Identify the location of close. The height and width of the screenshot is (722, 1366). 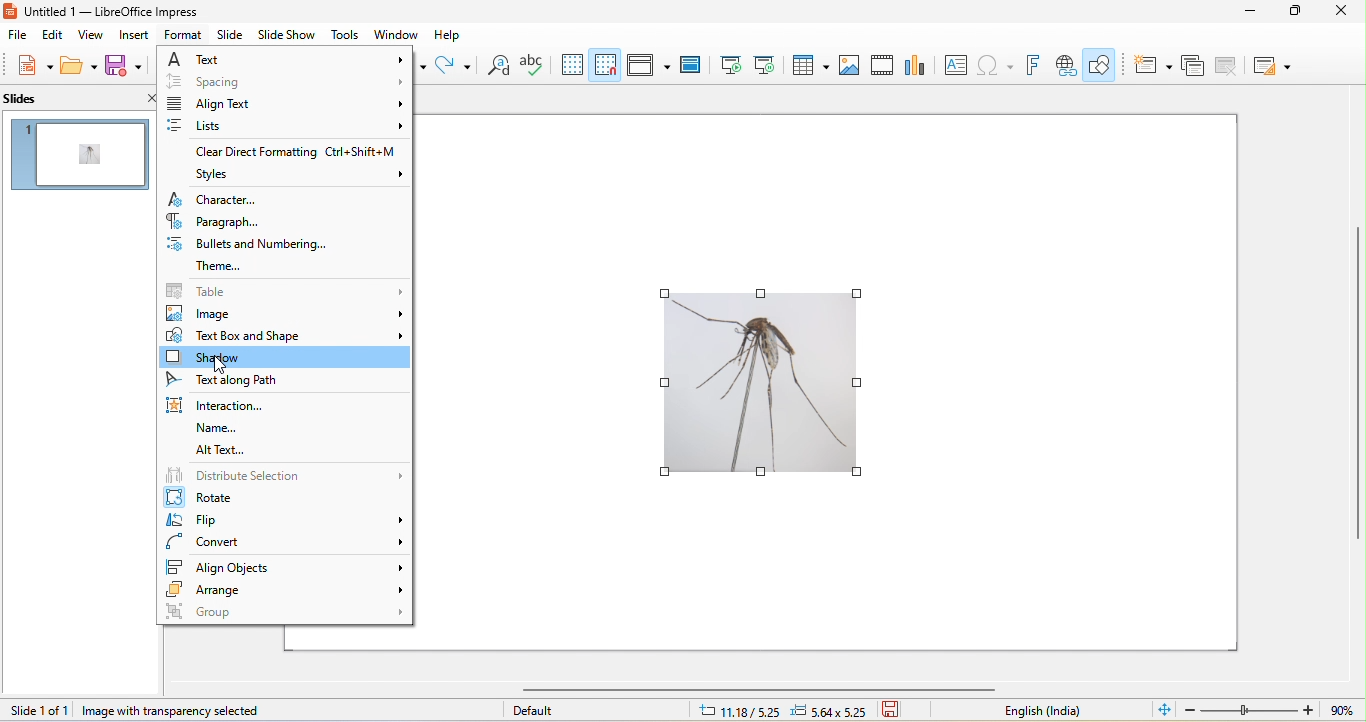
(1346, 12).